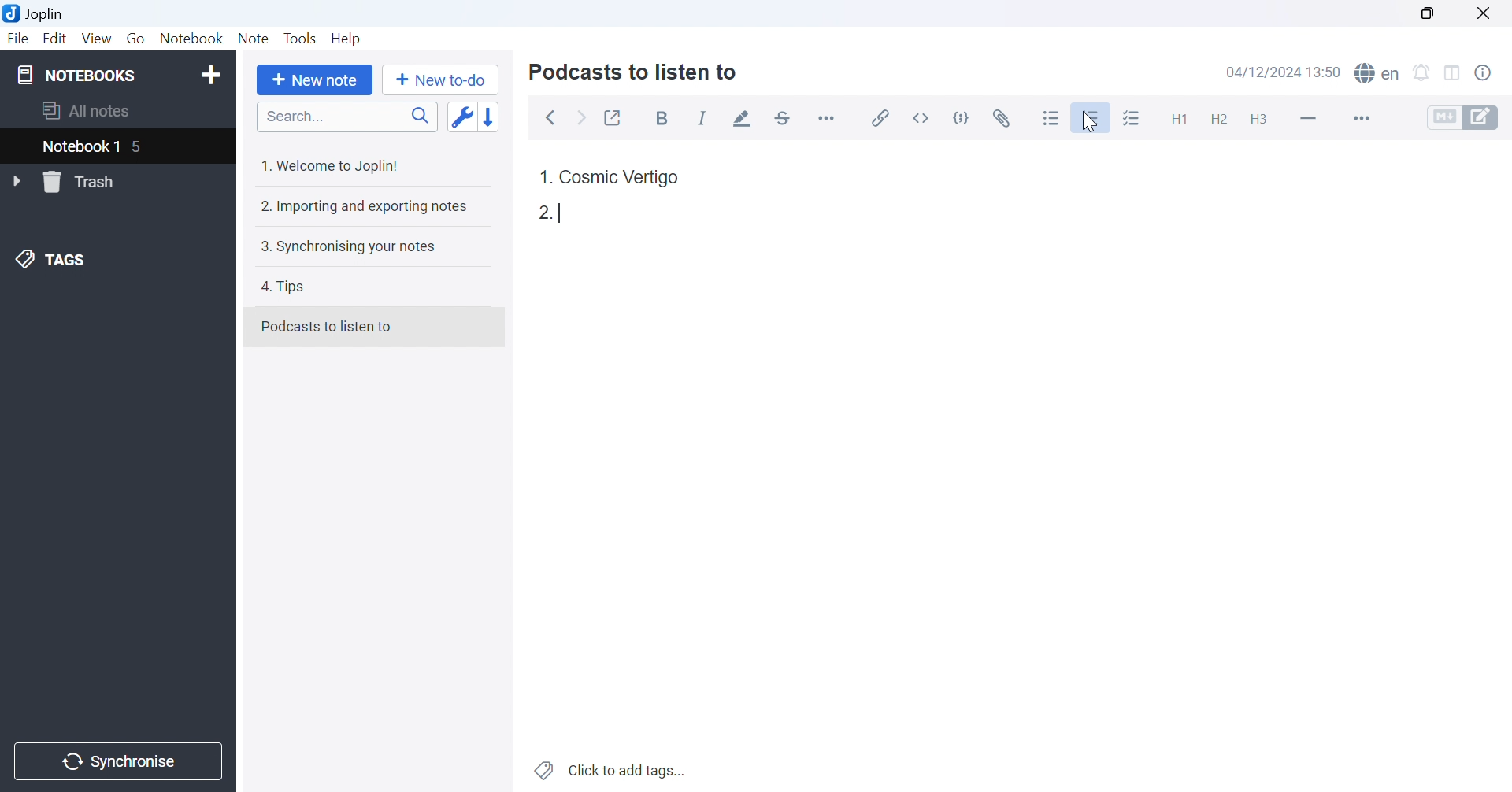 This screenshot has height=792, width=1512. Describe the element at coordinates (87, 112) in the screenshot. I see `All notes` at that location.